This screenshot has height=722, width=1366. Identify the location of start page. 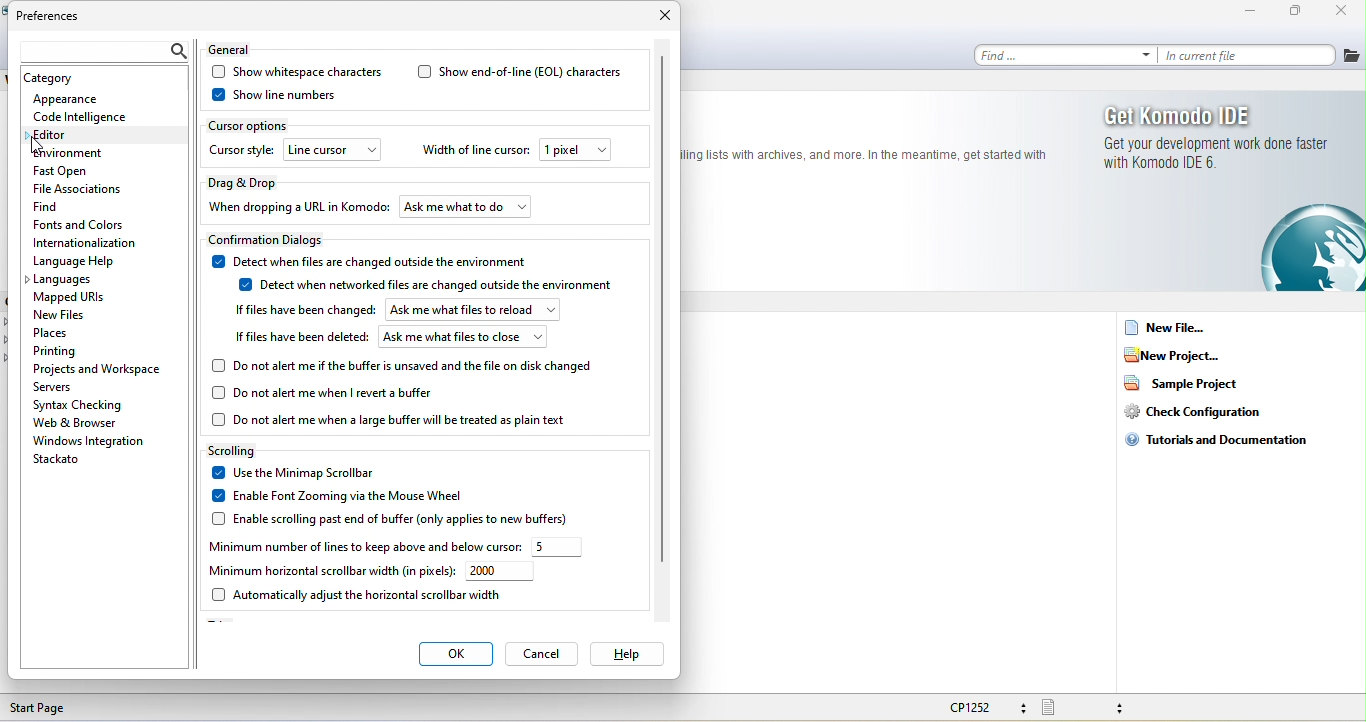
(43, 708).